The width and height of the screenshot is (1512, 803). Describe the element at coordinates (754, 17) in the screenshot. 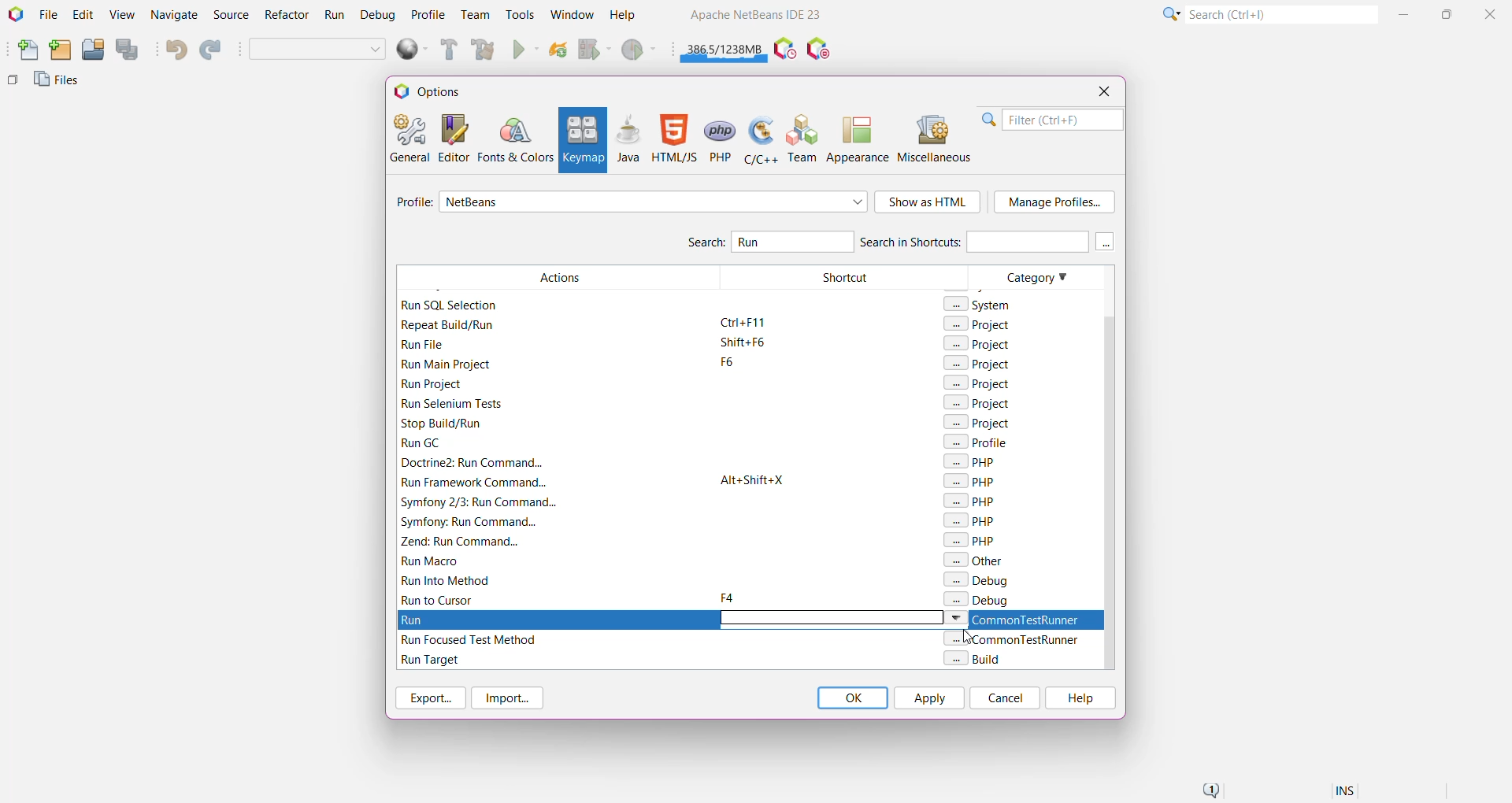

I see `Application name and Version` at that location.